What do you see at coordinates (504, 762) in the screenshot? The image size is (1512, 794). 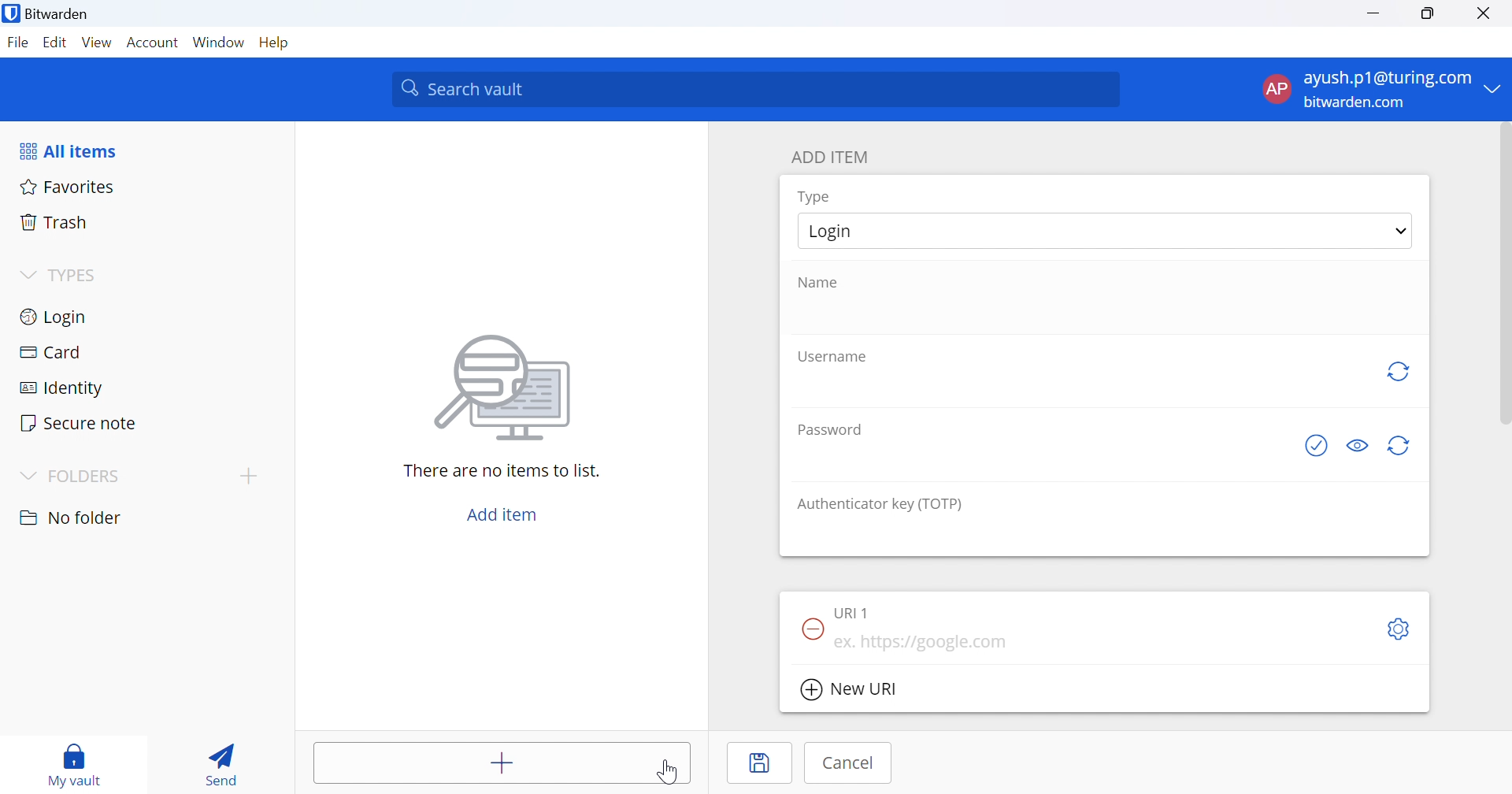 I see `Add item` at bounding box center [504, 762].